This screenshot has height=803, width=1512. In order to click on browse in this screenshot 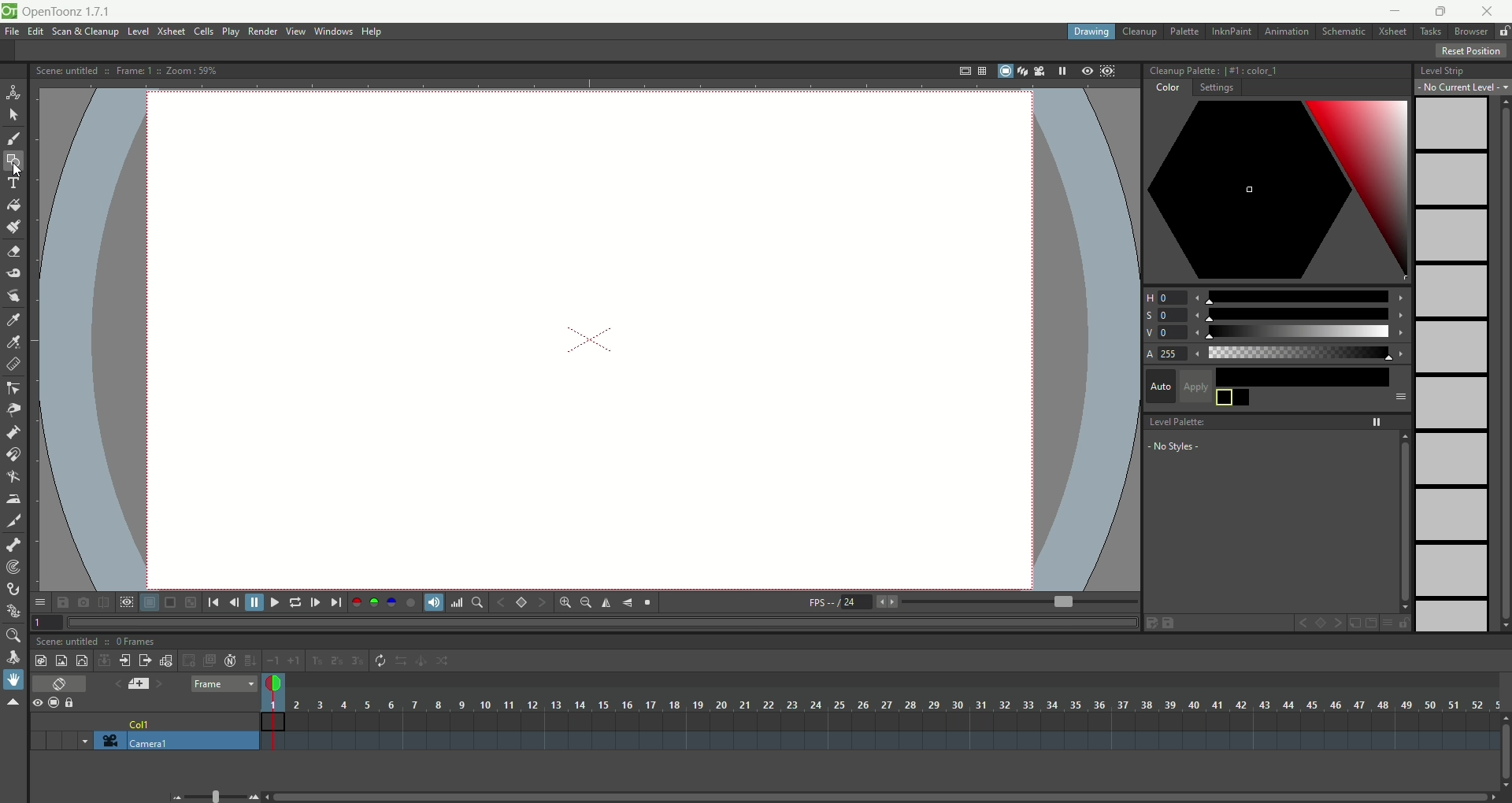, I will do `click(1472, 32)`.